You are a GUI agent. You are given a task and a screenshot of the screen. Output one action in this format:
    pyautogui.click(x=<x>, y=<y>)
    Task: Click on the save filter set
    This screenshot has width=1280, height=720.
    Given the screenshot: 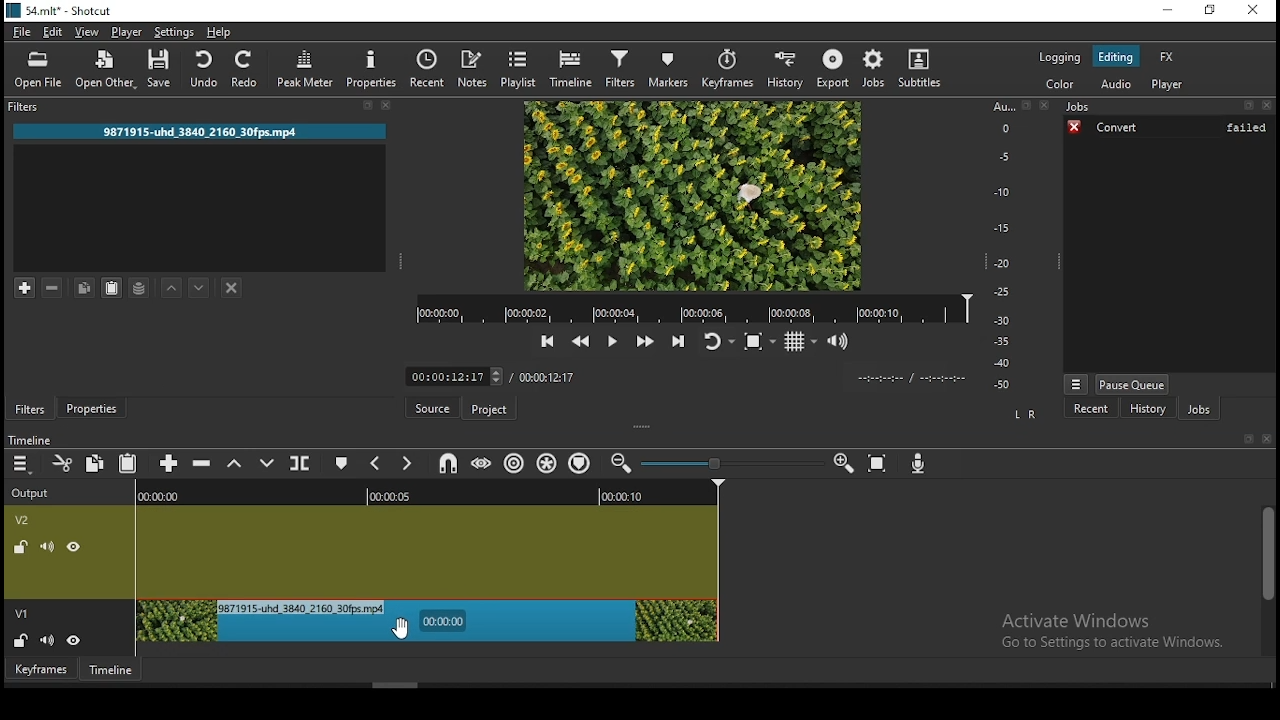 What is the action you would take?
    pyautogui.click(x=139, y=285)
    